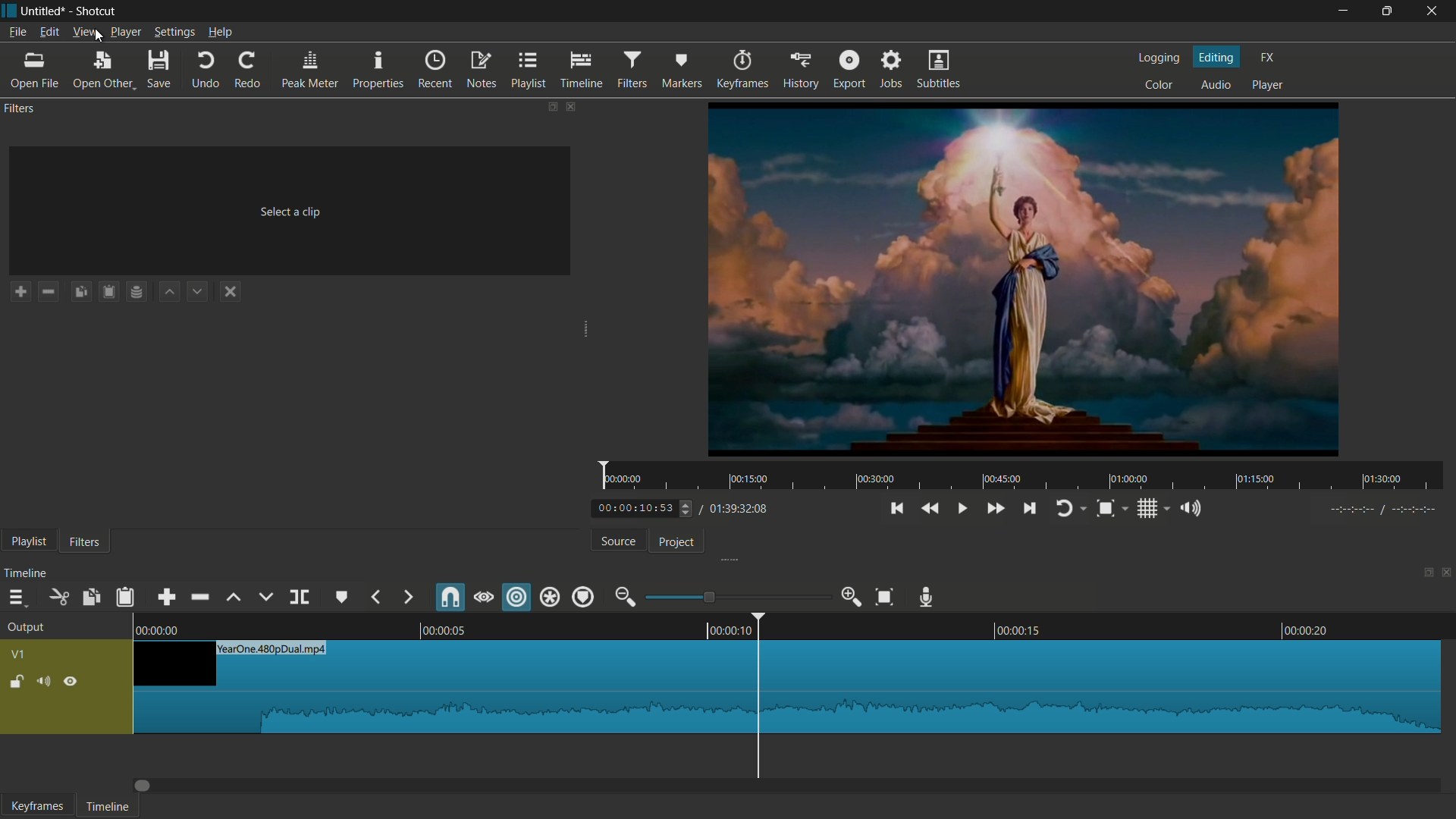 The image size is (1456, 819). What do you see at coordinates (481, 71) in the screenshot?
I see `notes` at bounding box center [481, 71].